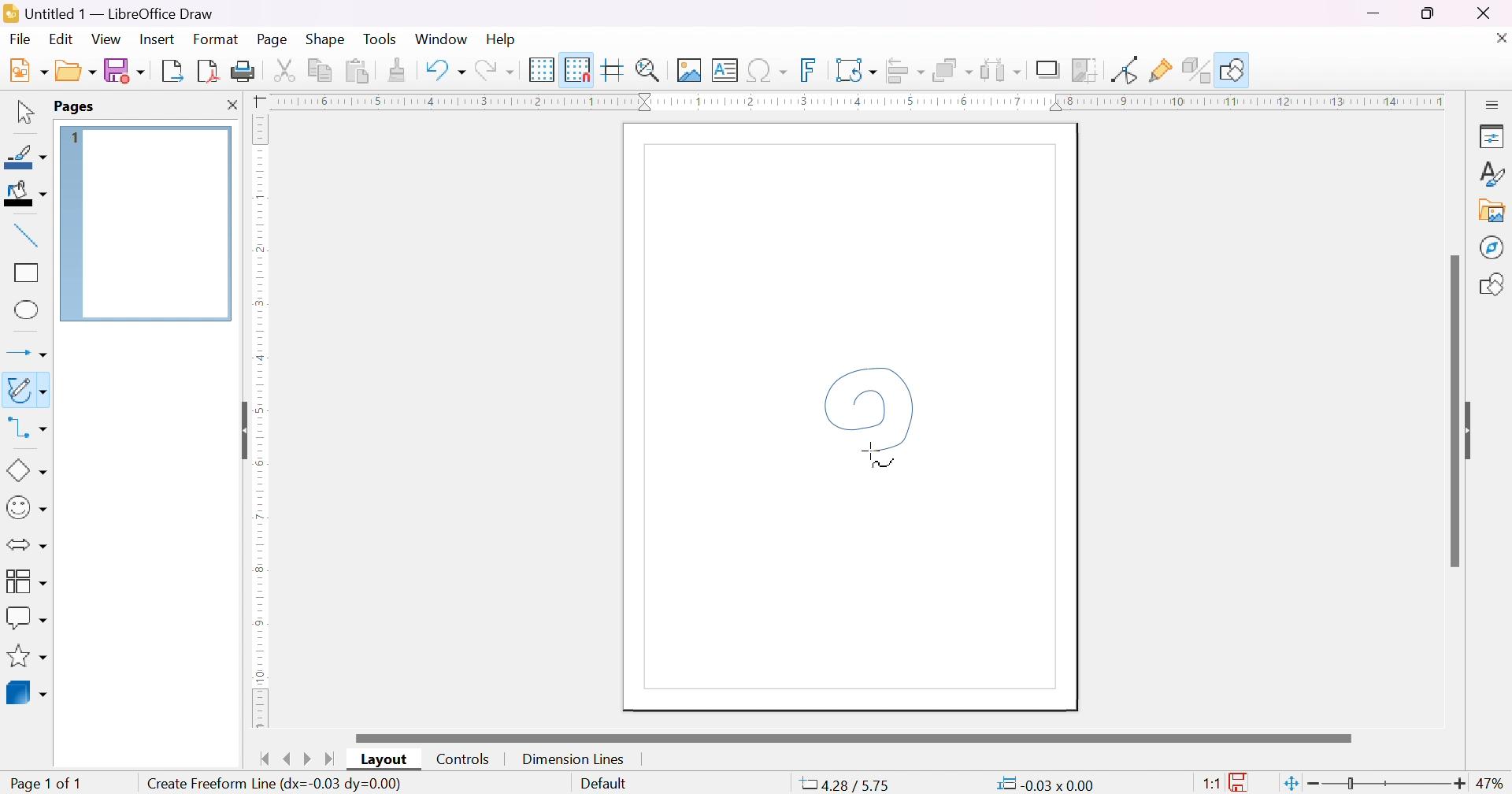  What do you see at coordinates (156, 39) in the screenshot?
I see `insert` at bounding box center [156, 39].